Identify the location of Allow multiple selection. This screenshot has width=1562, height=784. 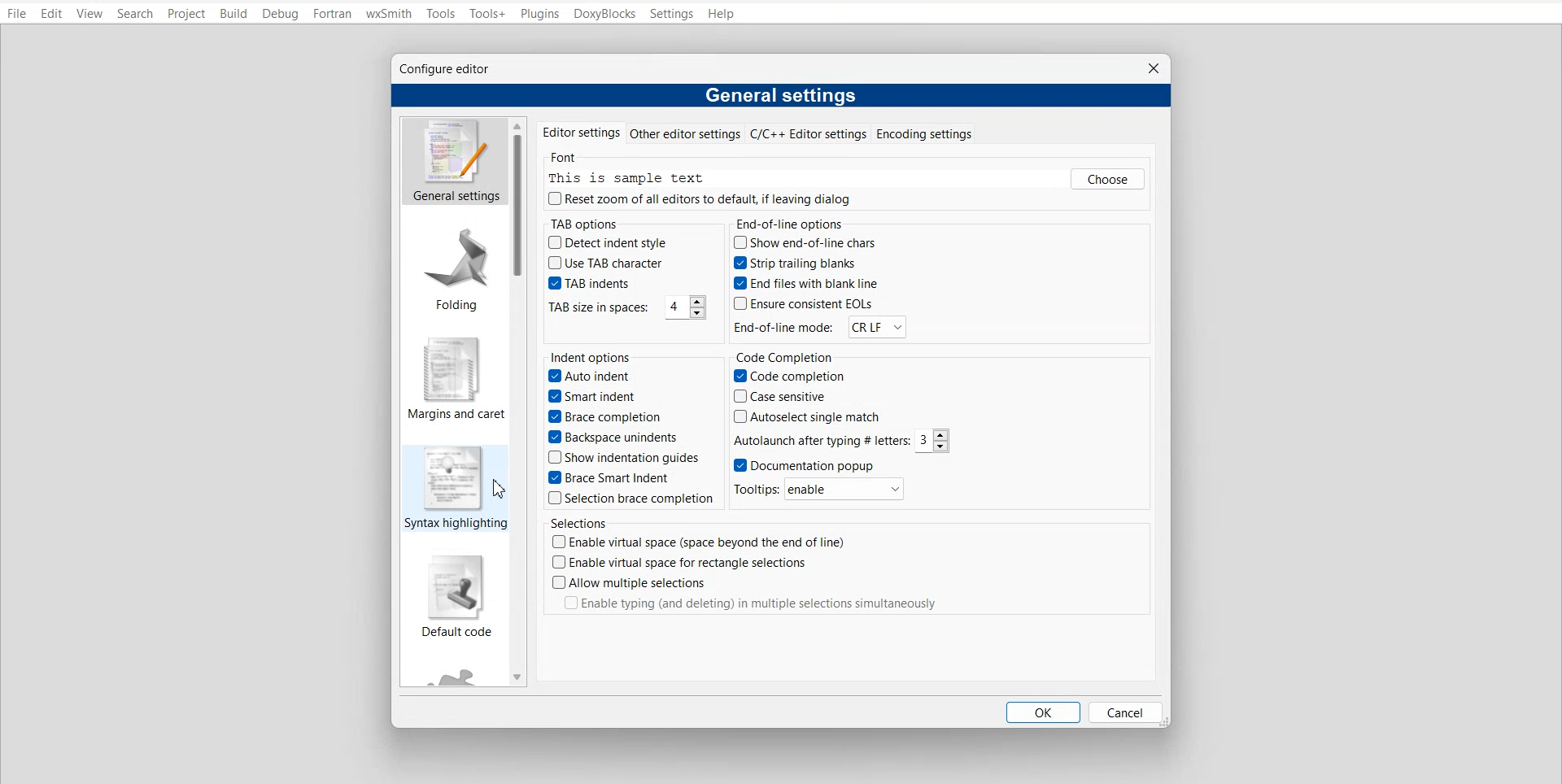
(627, 581).